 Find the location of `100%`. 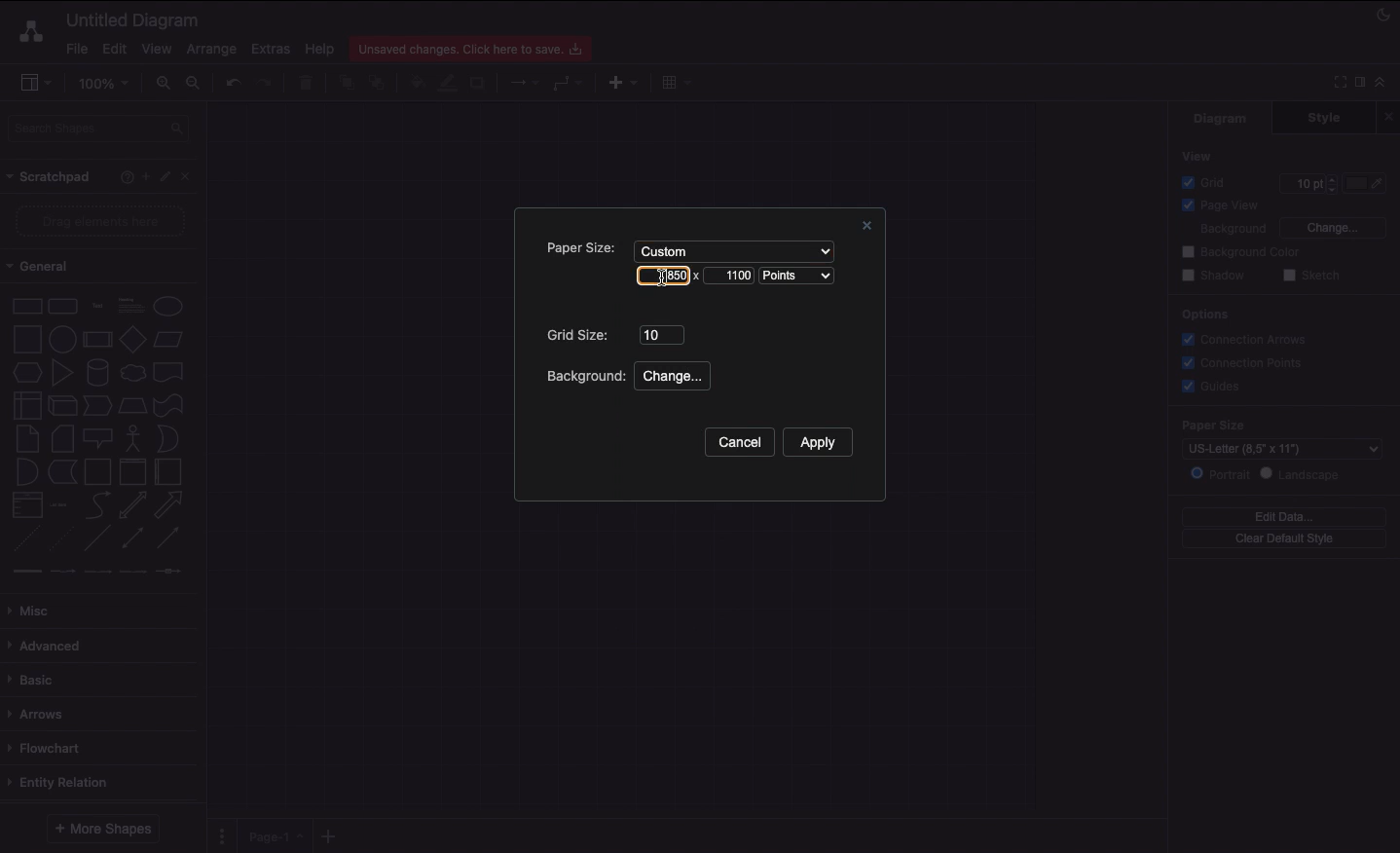

100% is located at coordinates (106, 84).